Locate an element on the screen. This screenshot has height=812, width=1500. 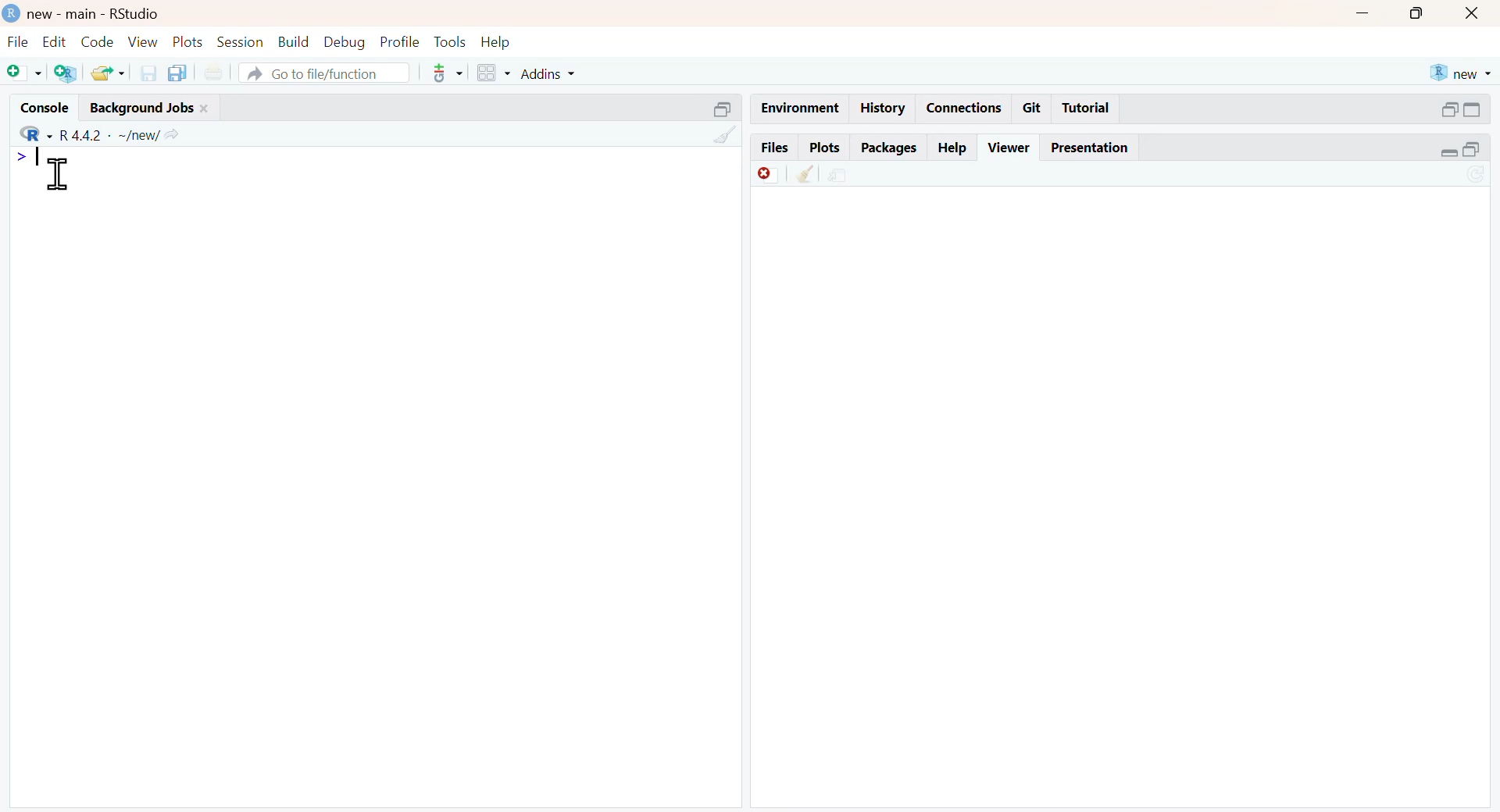
sync is located at coordinates (1477, 175).